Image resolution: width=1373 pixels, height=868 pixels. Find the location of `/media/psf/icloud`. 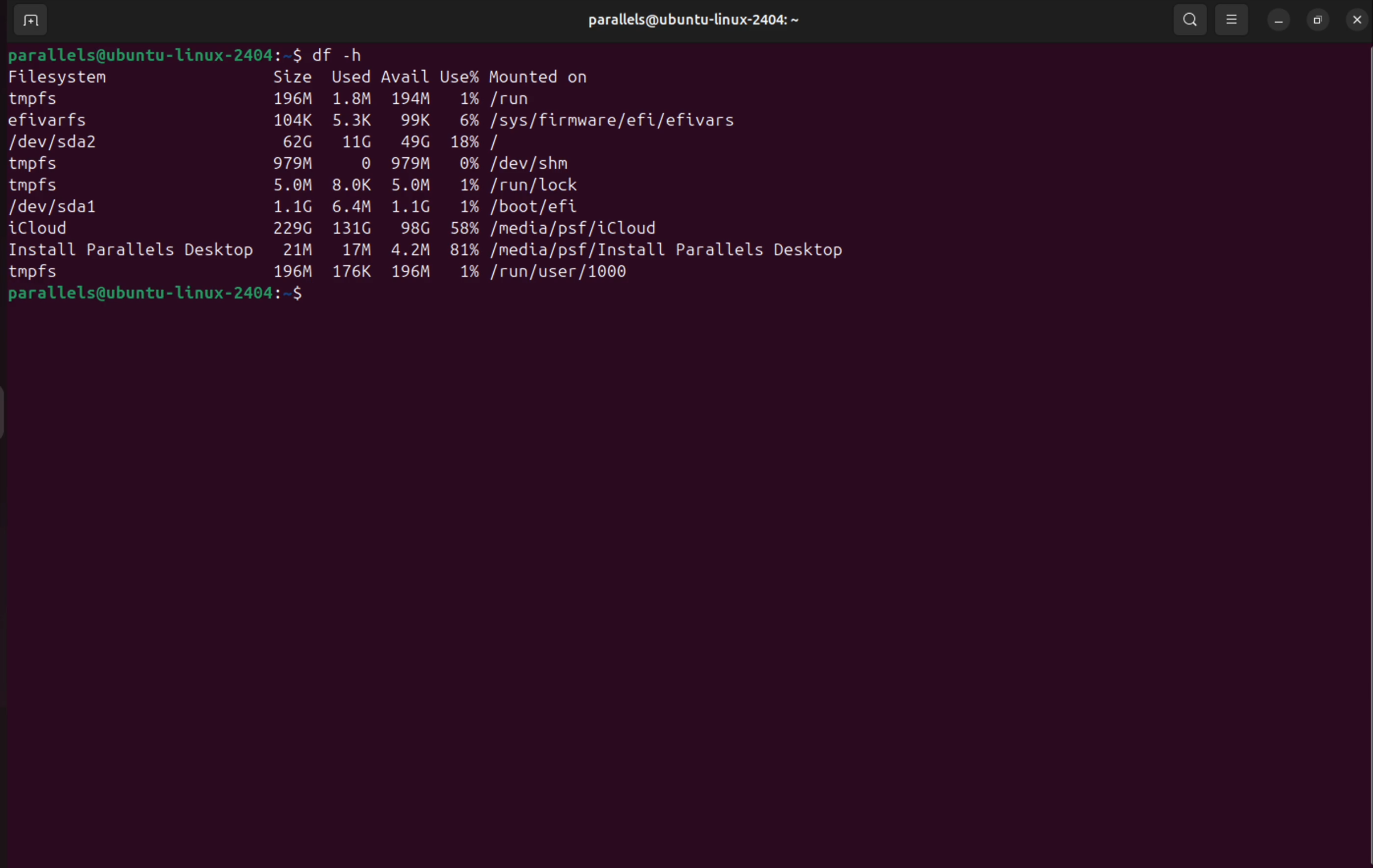

/media/psf/icloud is located at coordinates (587, 229).